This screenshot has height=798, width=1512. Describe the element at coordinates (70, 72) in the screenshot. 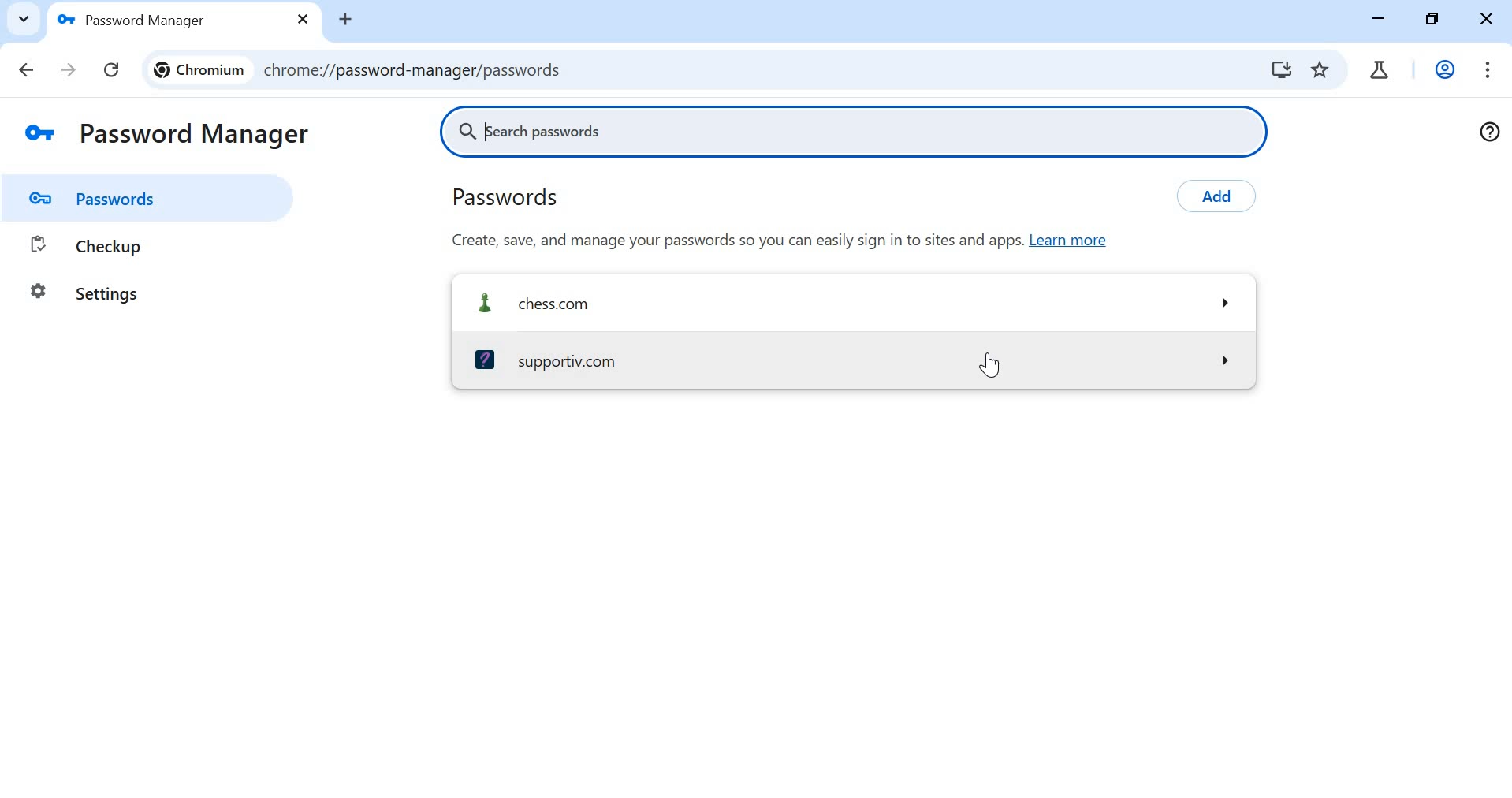

I see `click to go forward` at that location.